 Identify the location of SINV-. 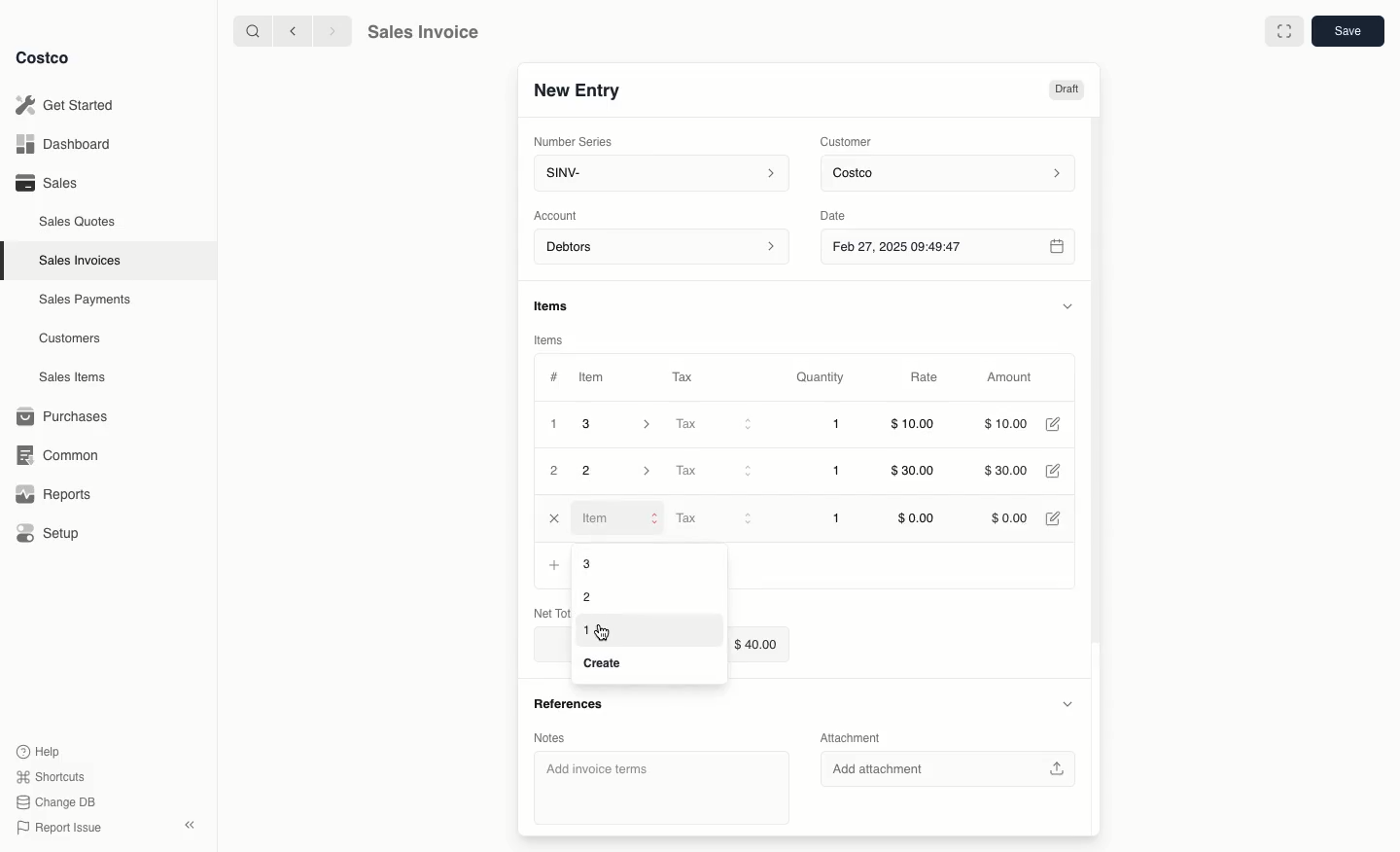
(657, 175).